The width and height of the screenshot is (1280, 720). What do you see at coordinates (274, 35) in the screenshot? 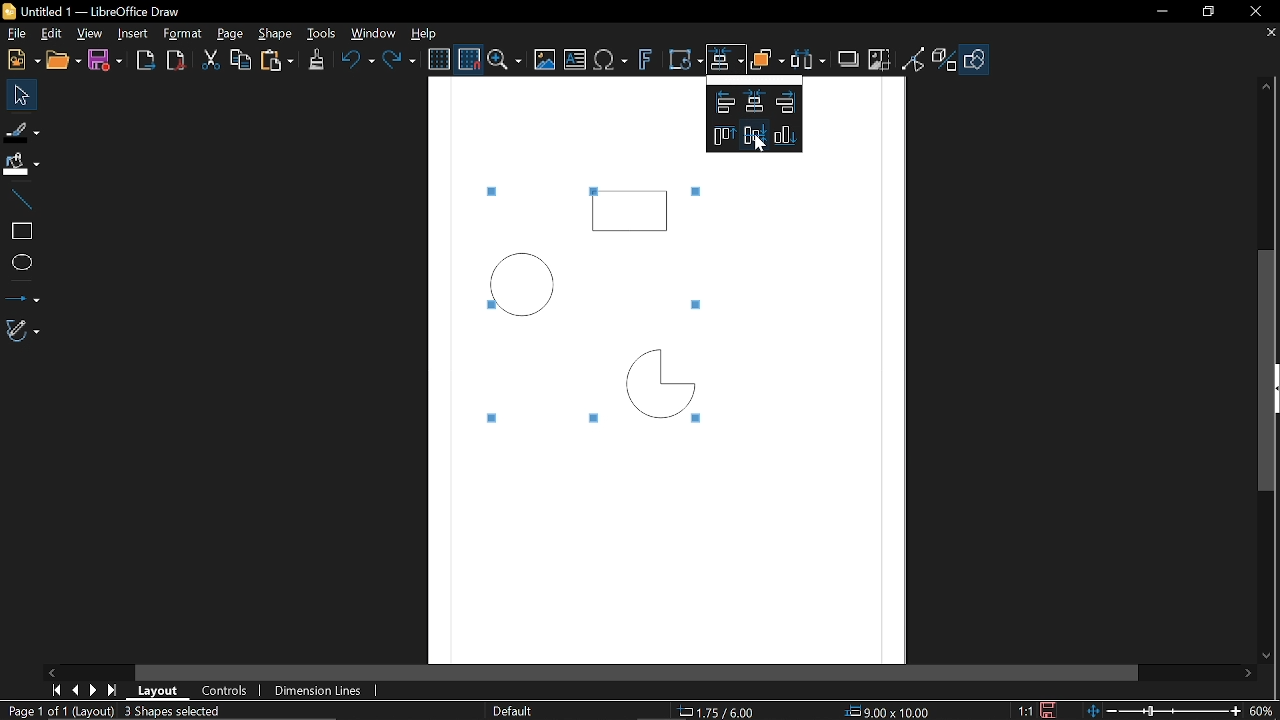
I see `Shape` at bounding box center [274, 35].